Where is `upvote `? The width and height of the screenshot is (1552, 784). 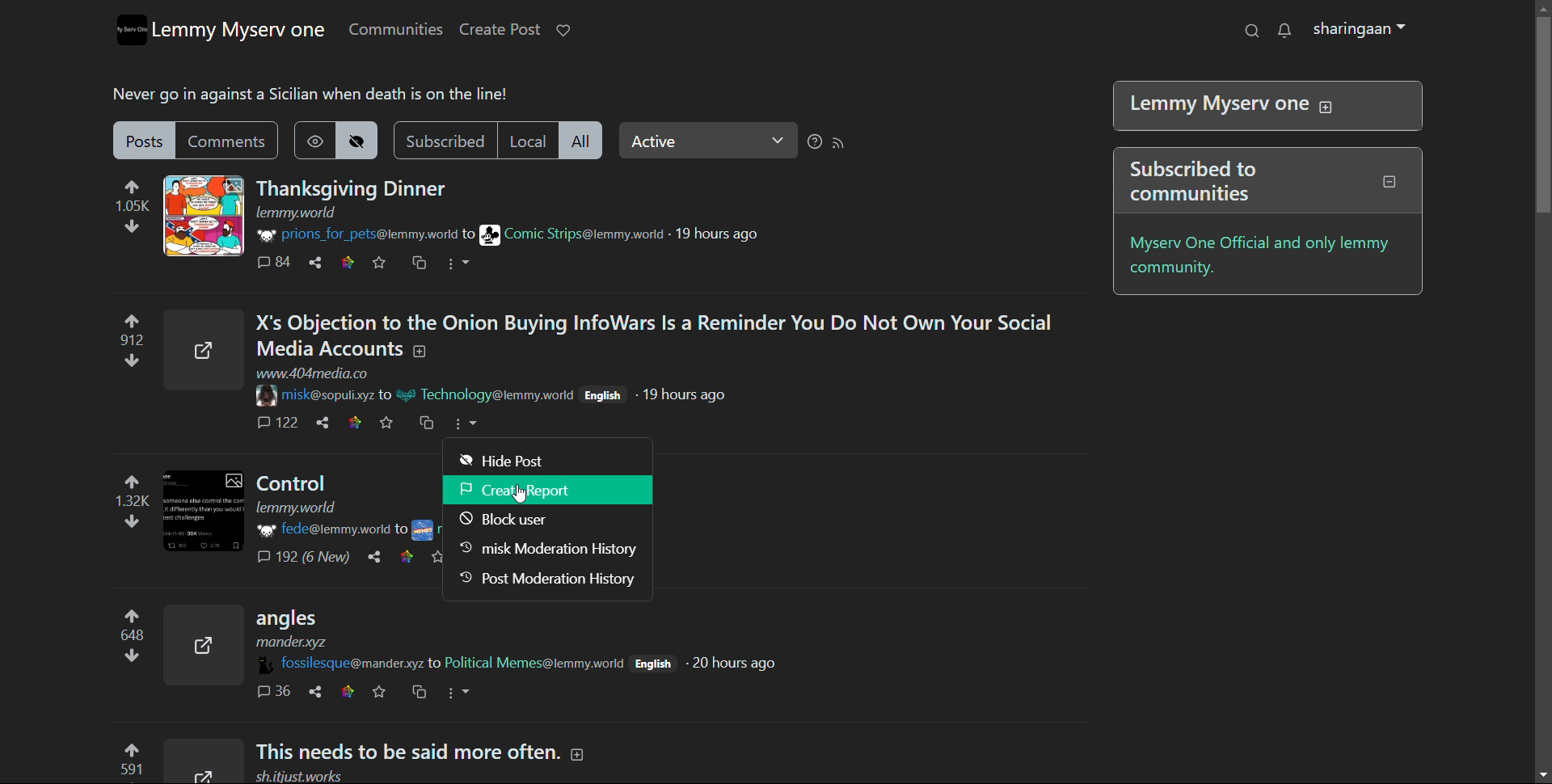 upvote  is located at coordinates (120, 761).